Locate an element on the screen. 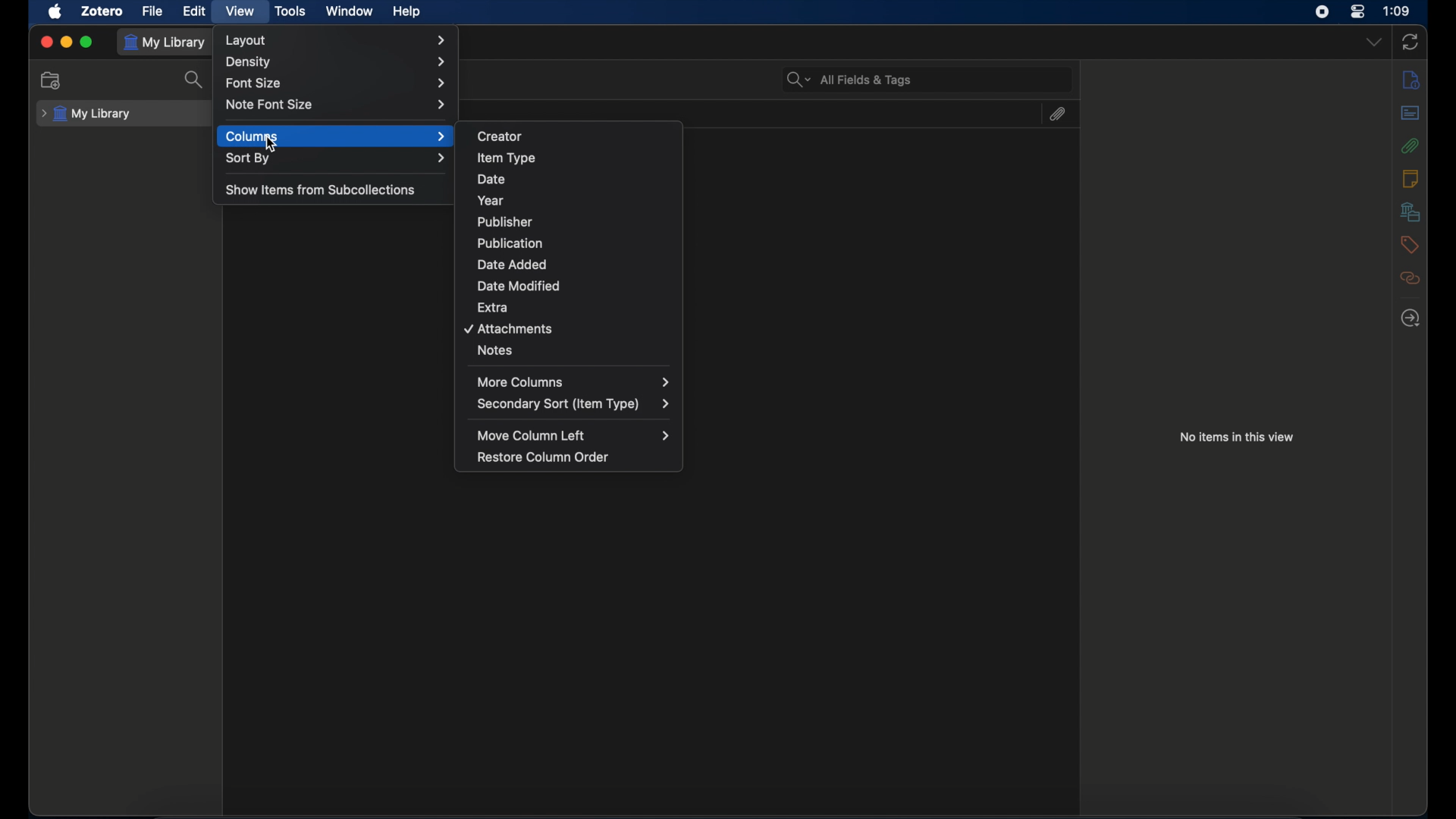  libraries is located at coordinates (1410, 212).